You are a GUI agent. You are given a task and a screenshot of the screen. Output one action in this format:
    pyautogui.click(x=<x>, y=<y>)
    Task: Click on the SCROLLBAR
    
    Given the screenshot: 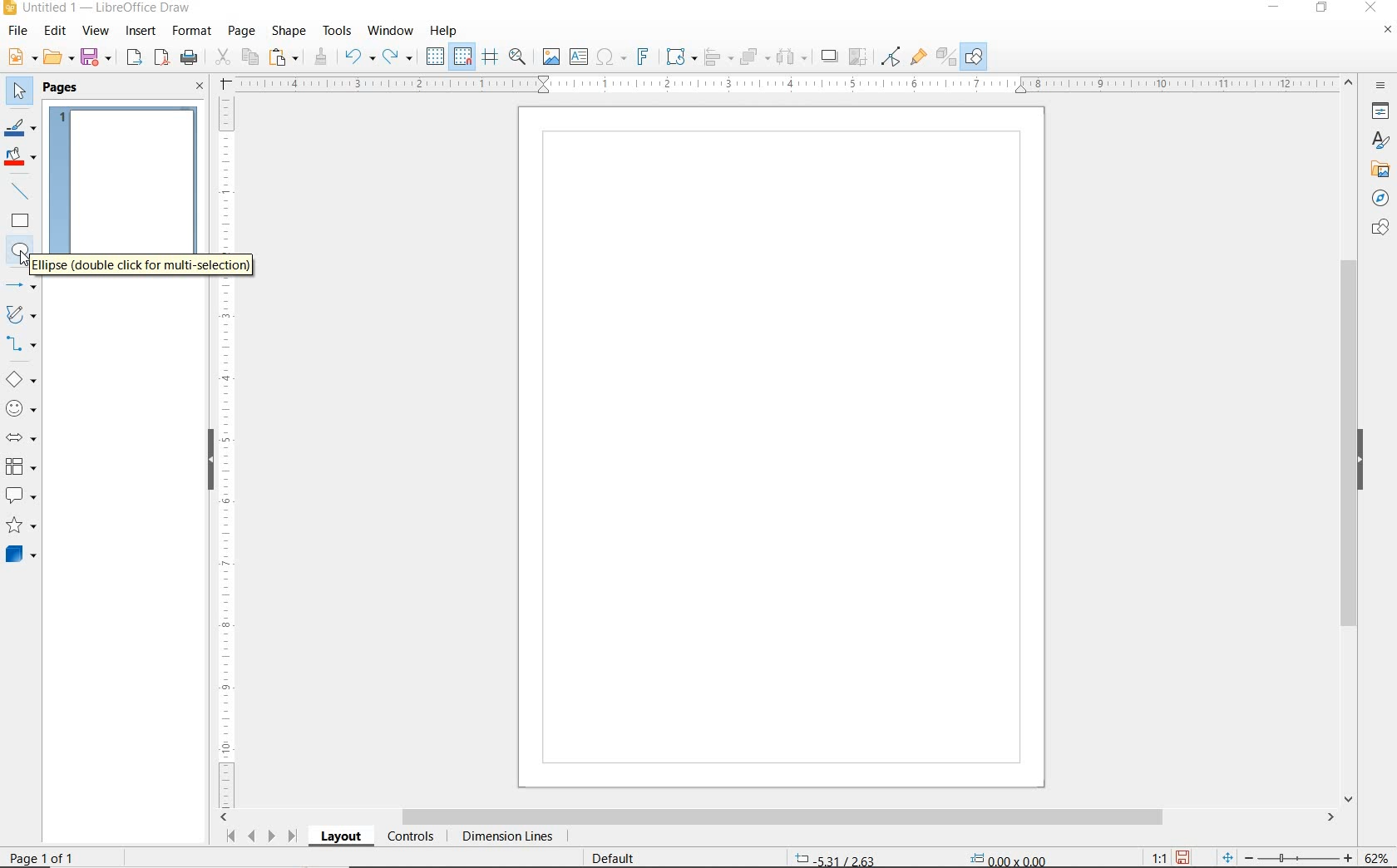 What is the action you would take?
    pyautogui.click(x=778, y=818)
    